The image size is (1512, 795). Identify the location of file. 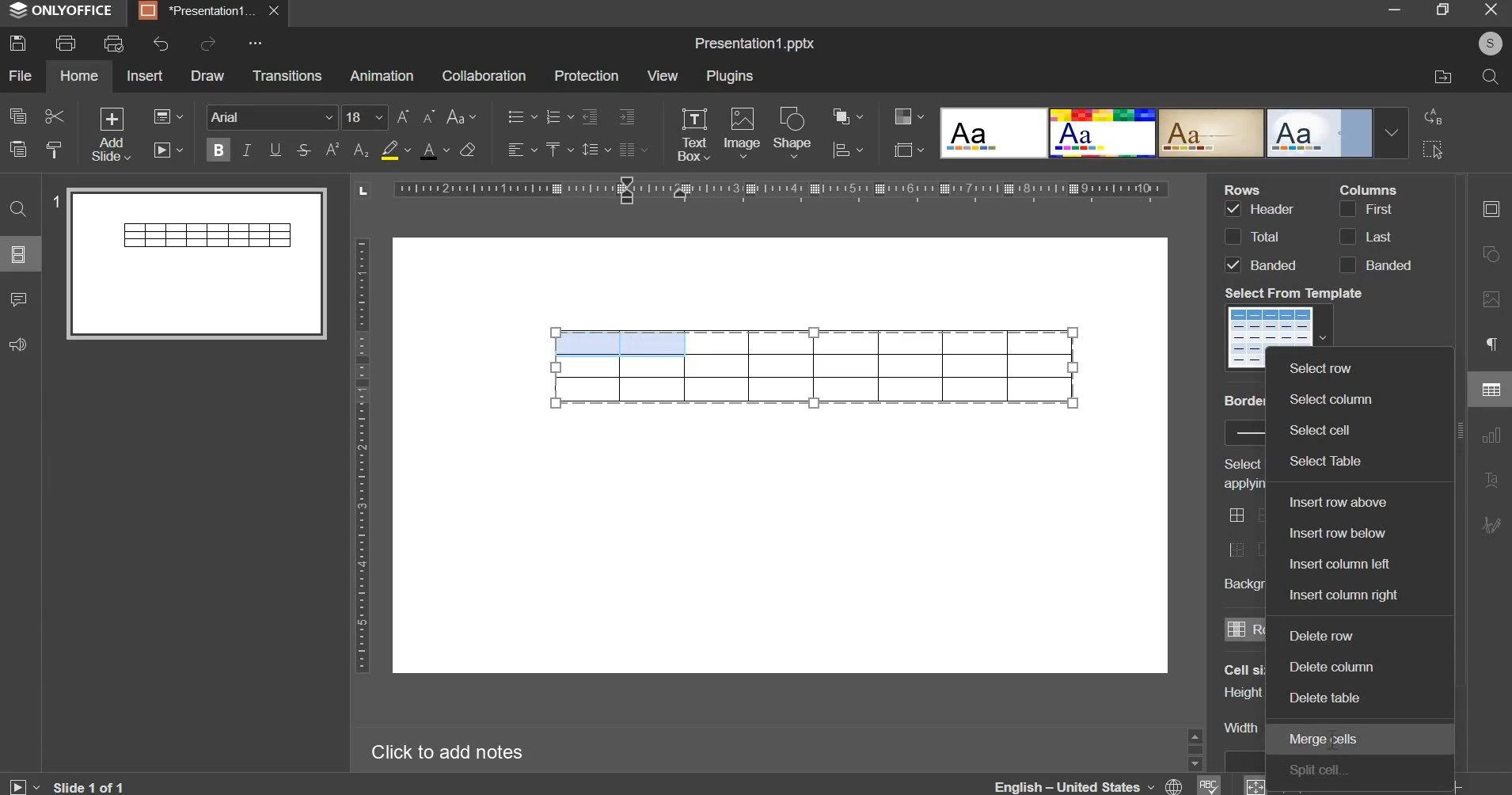
(21, 75).